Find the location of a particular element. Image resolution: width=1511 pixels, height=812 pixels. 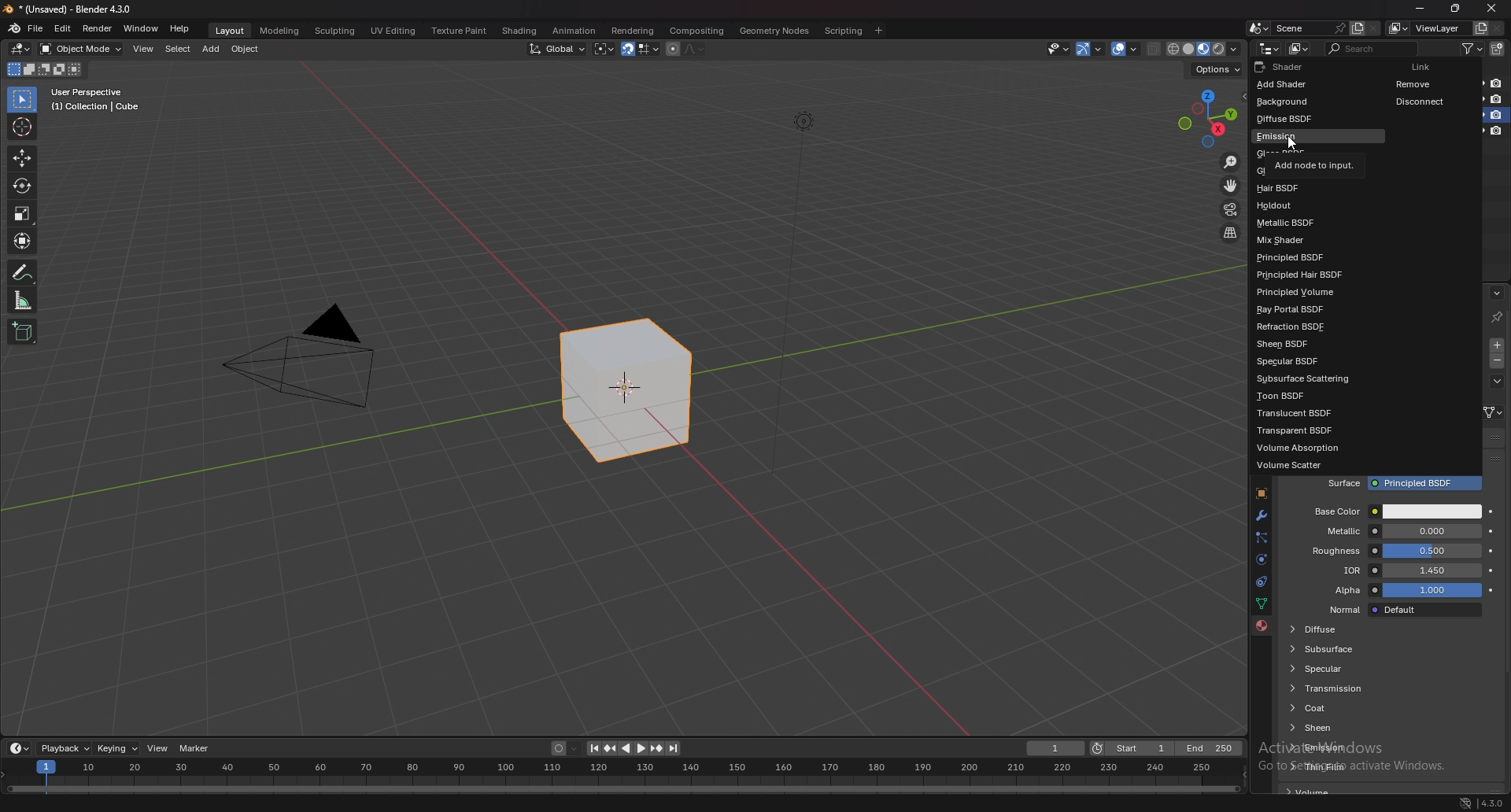

search is located at coordinates (1375, 48).